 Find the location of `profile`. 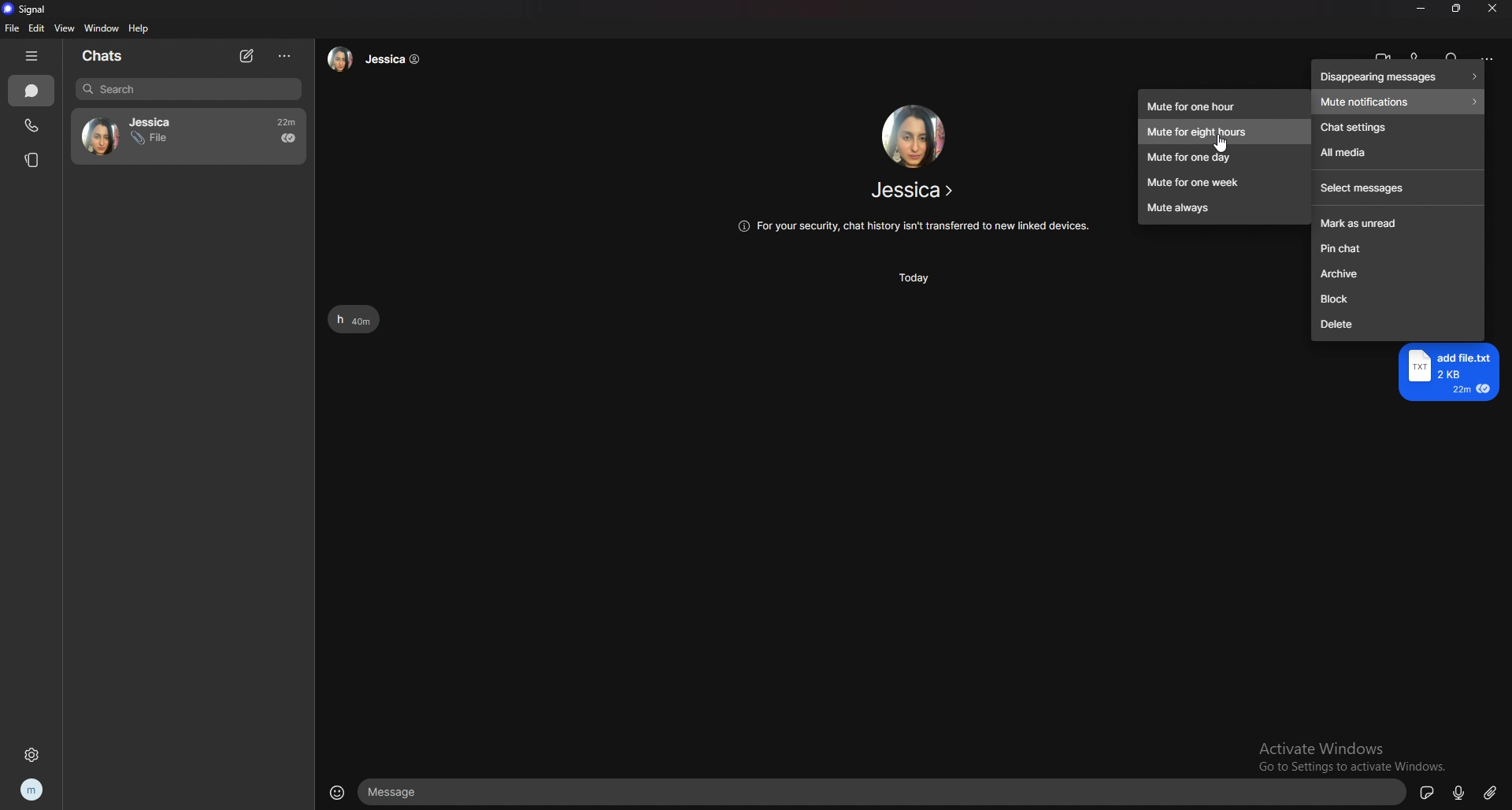

profile is located at coordinates (32, 790).